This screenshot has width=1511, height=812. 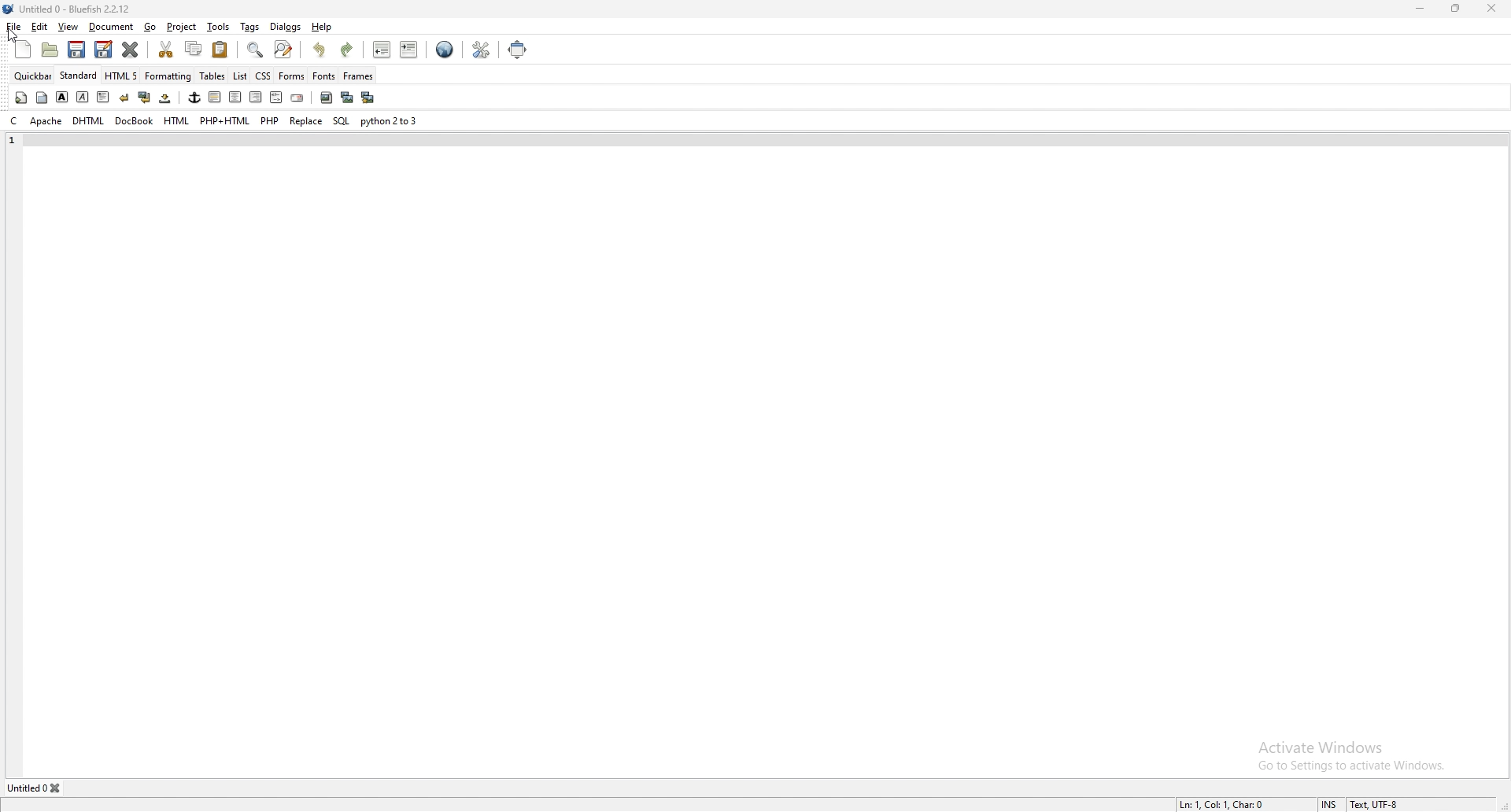 I want to click on php+html, so click(x=225, y=120).